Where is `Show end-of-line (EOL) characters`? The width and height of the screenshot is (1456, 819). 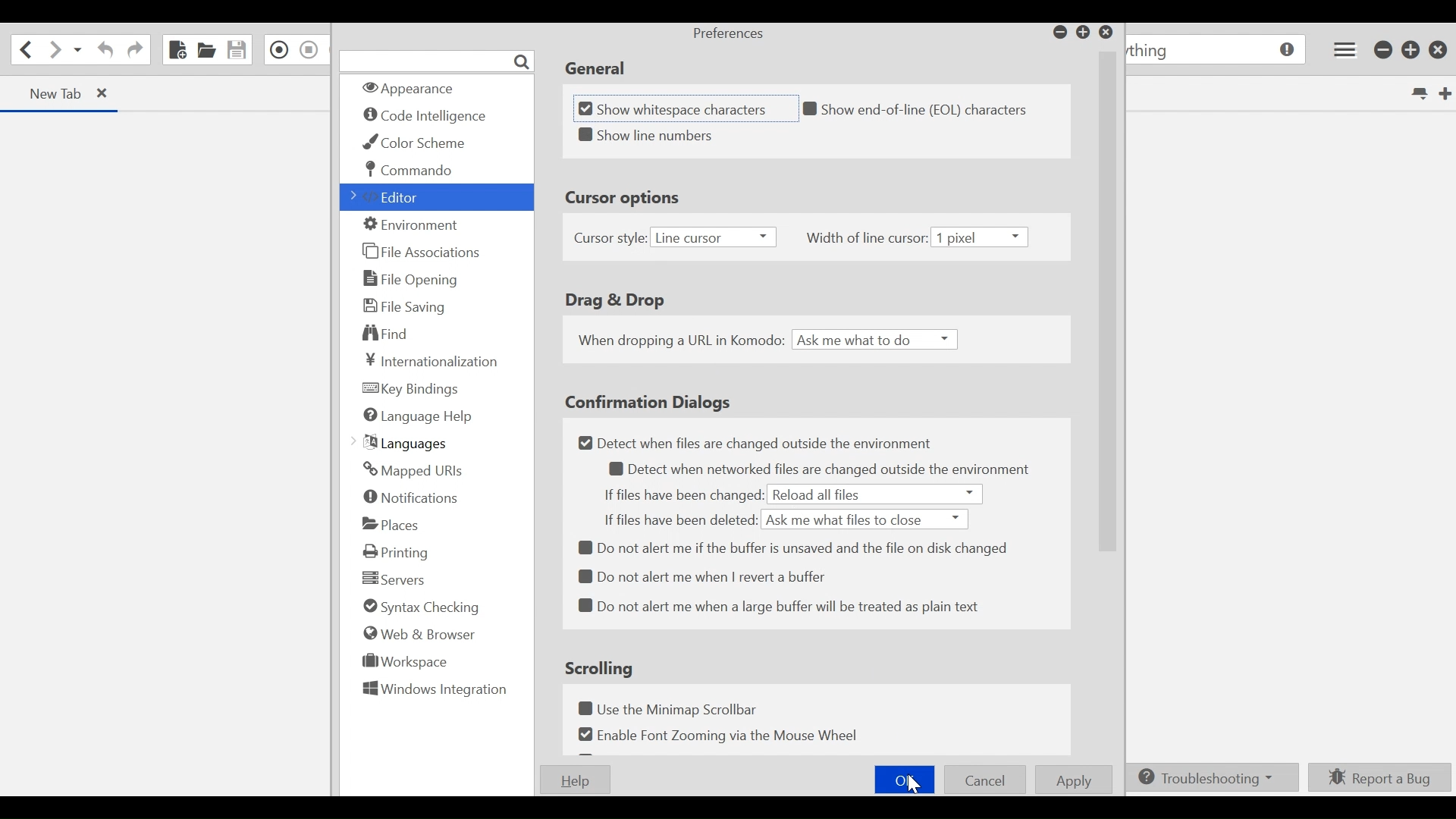 Show end-of-line (EOL) characters is located at coordinates (922, 111).